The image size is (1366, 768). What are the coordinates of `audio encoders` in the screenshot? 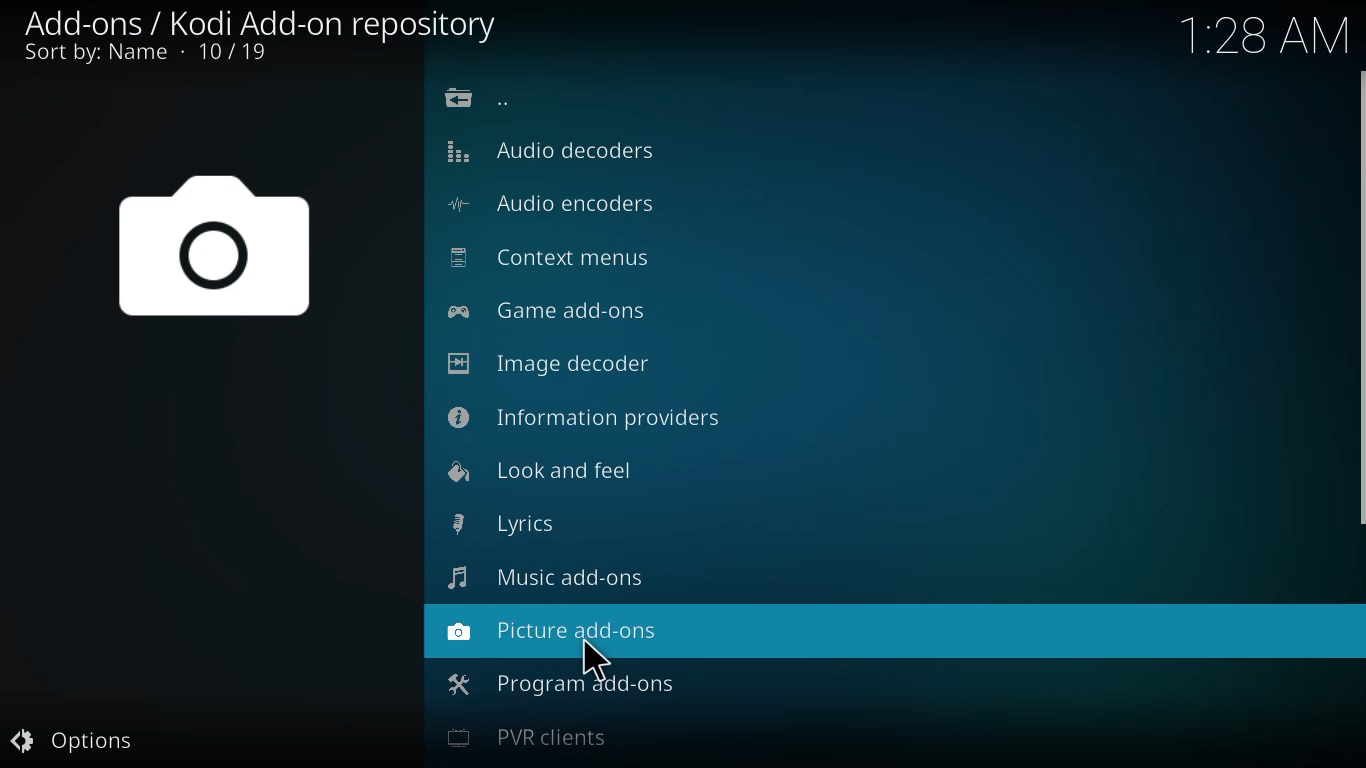 It's located at (556, 205).